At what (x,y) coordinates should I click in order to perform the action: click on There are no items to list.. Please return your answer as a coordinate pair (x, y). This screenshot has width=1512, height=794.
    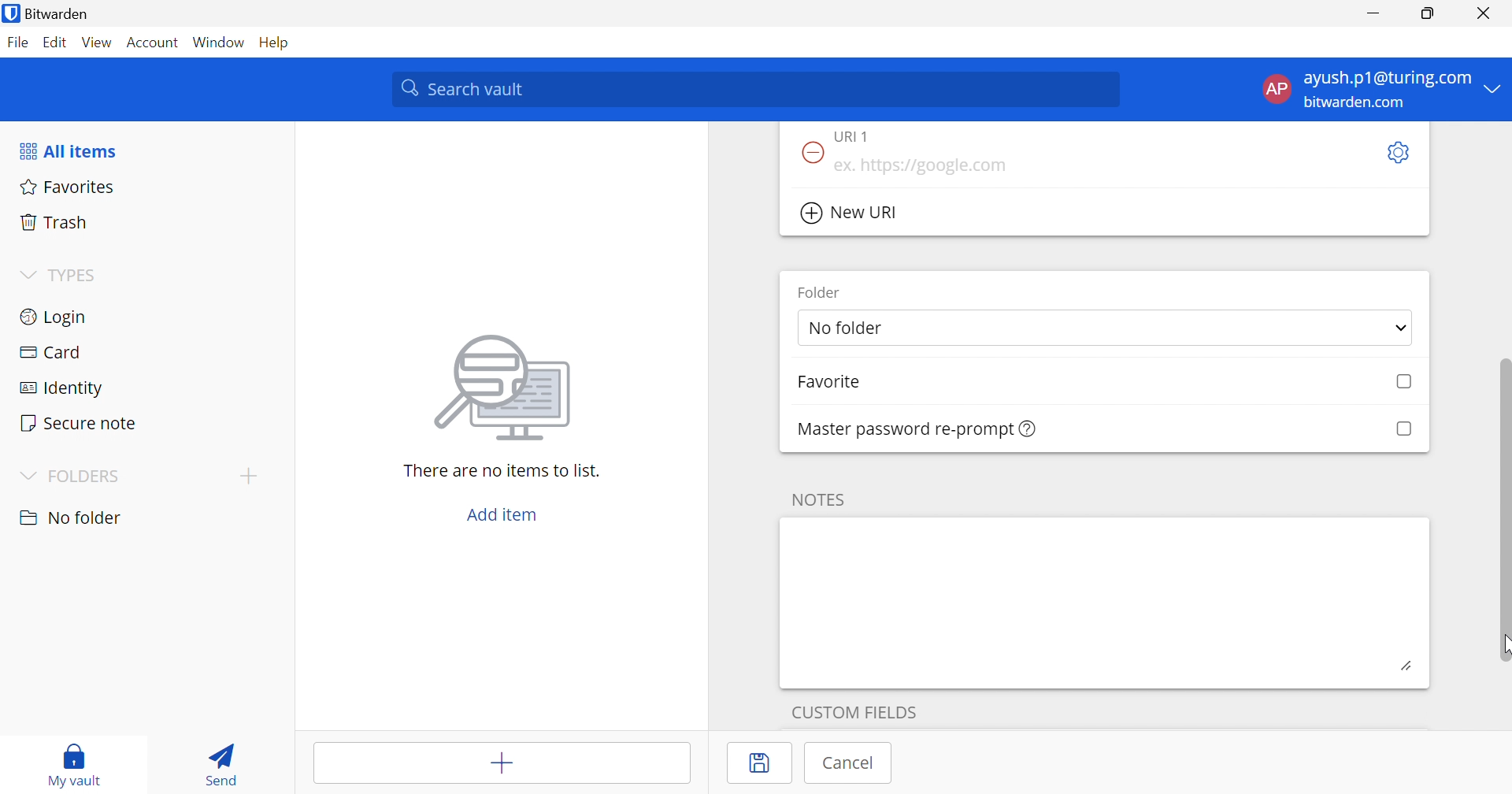
    Looking at the image, I should click on (503, 469).